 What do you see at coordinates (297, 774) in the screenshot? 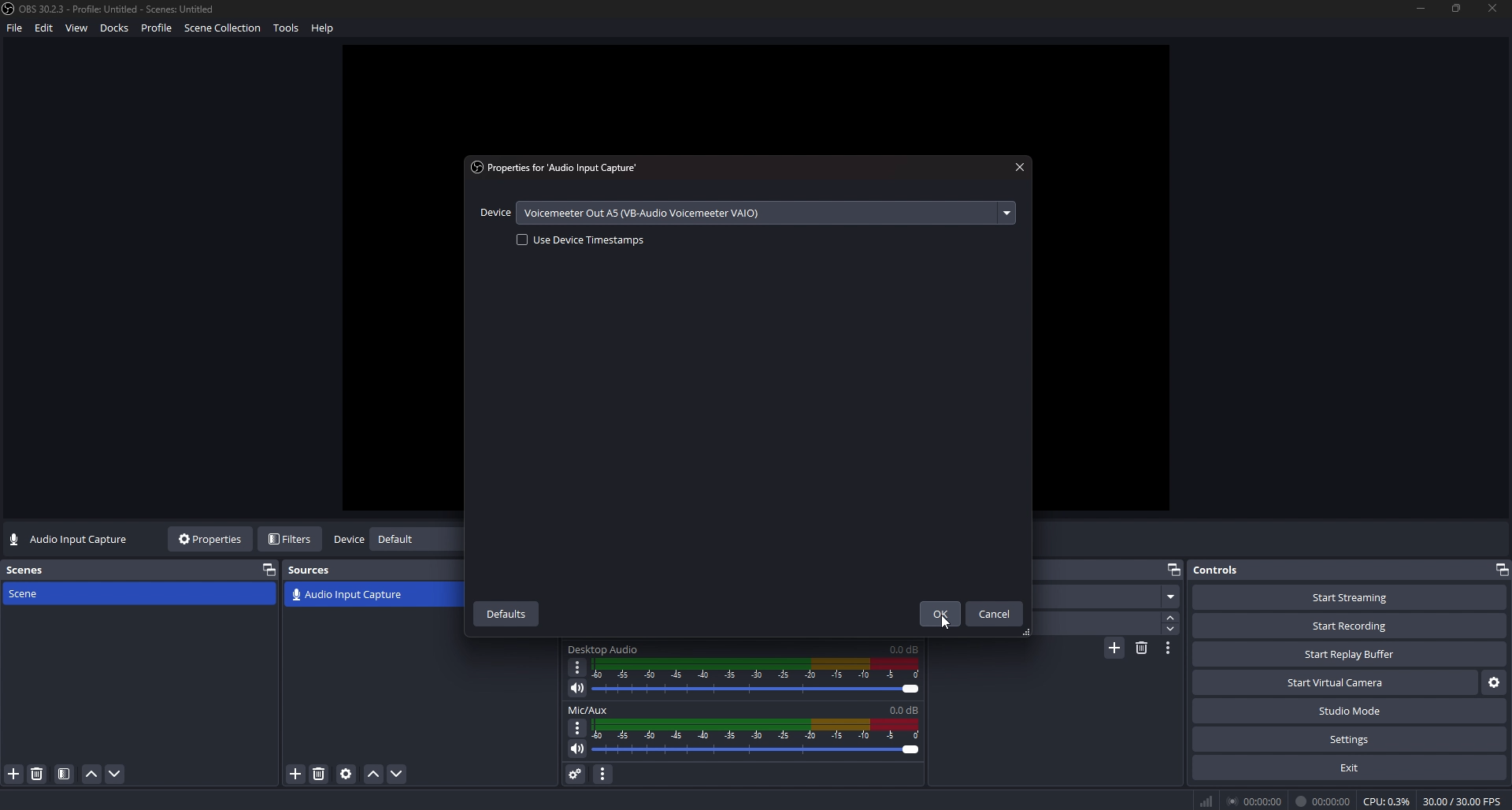
I see `add source` at bounding box center [297, 774].